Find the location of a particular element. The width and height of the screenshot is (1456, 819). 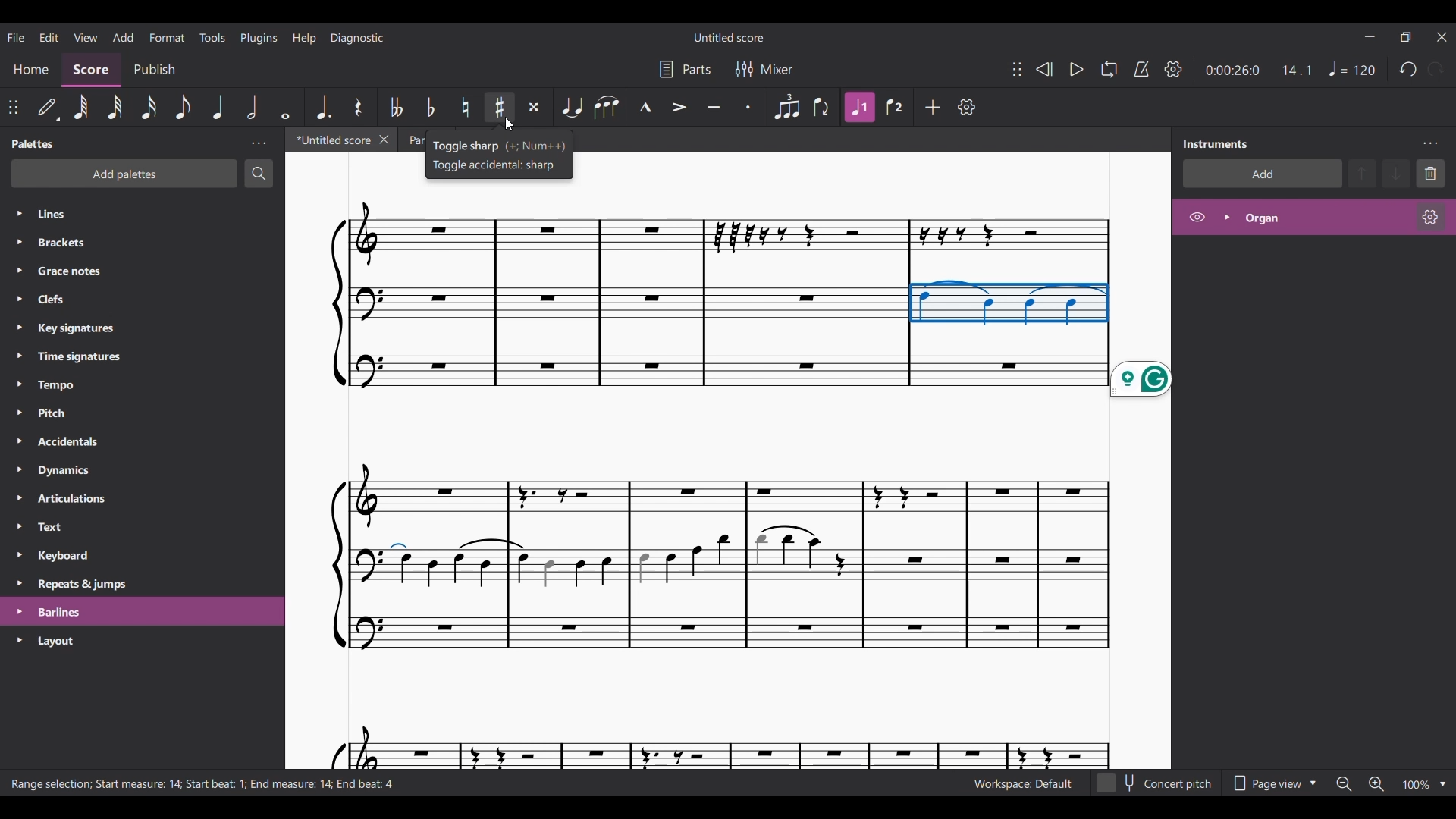

Expand Organ is located at coordinates (1225, 217).